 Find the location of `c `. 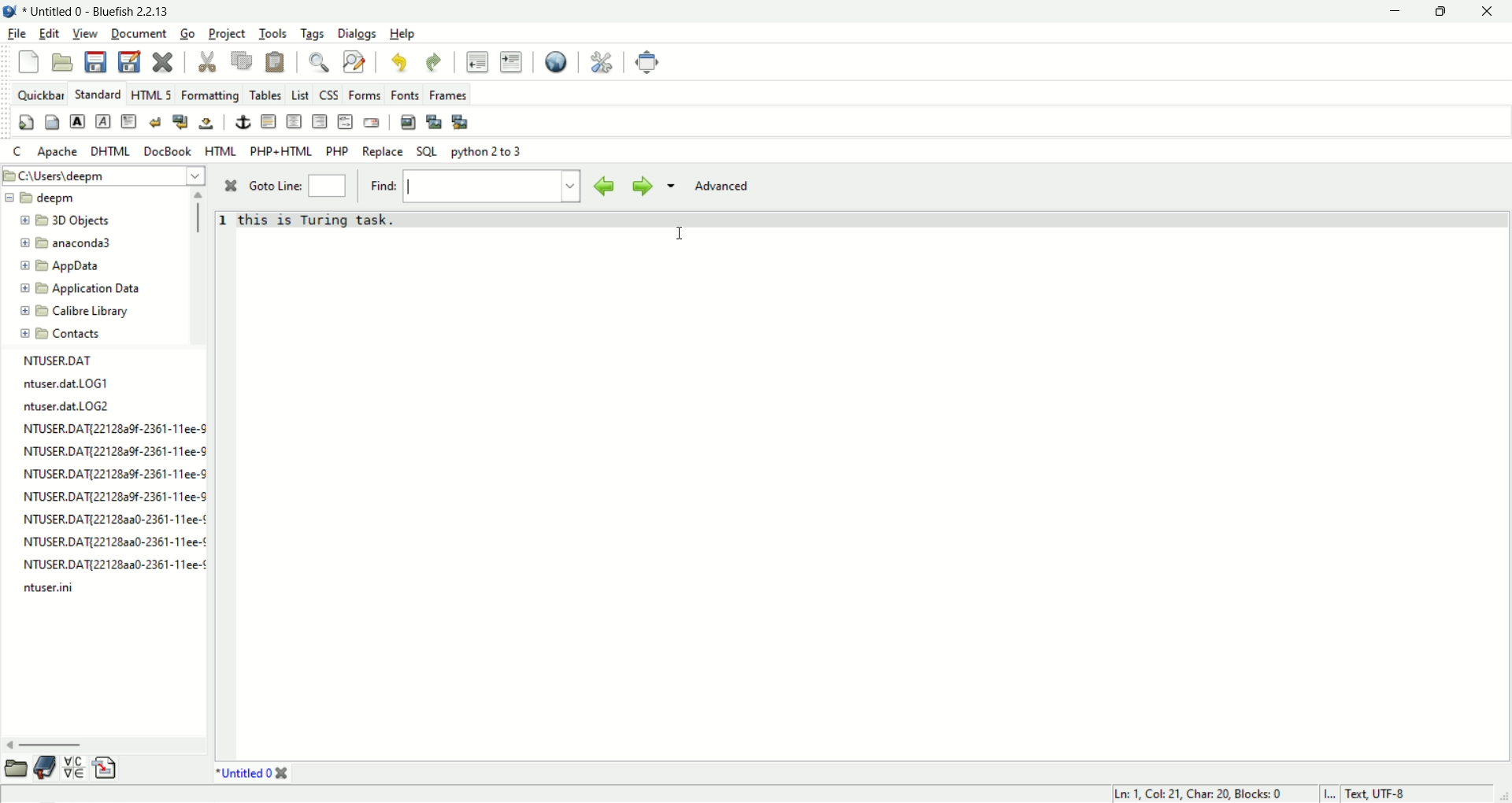

c  is located at coordinates (19, 153).